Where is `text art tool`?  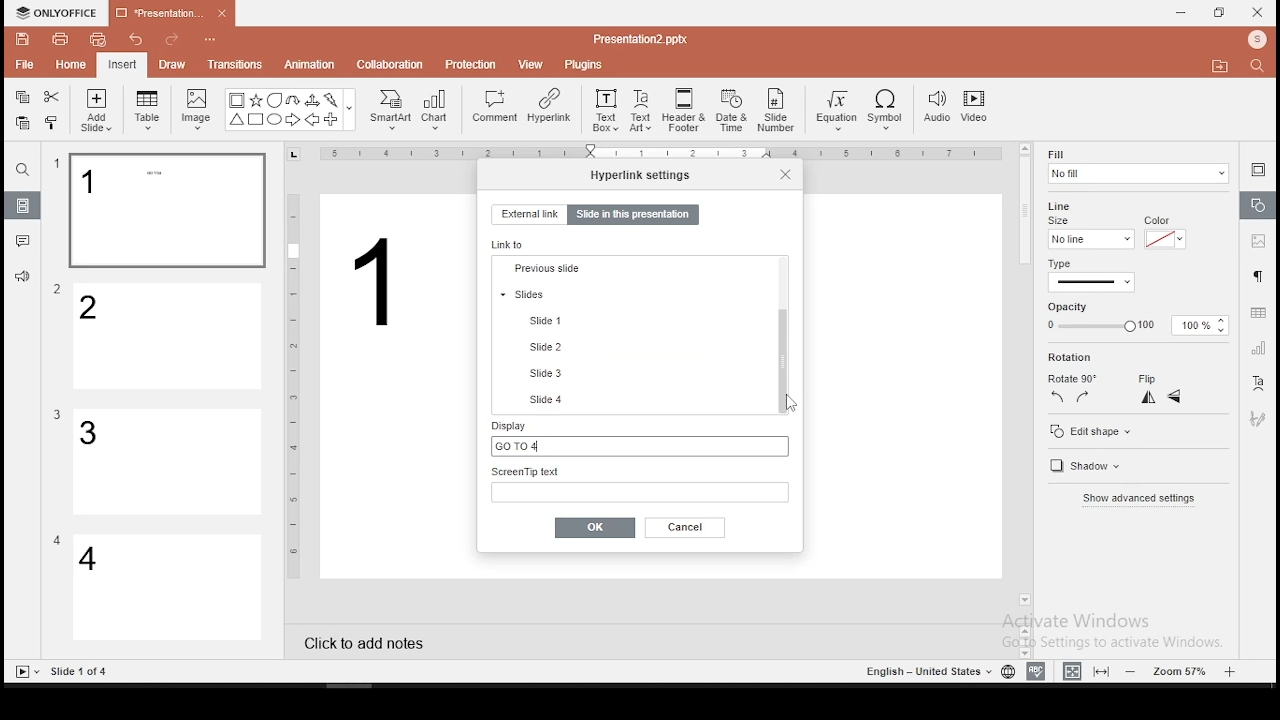
text art tool is located at coordinates (1257, 384).